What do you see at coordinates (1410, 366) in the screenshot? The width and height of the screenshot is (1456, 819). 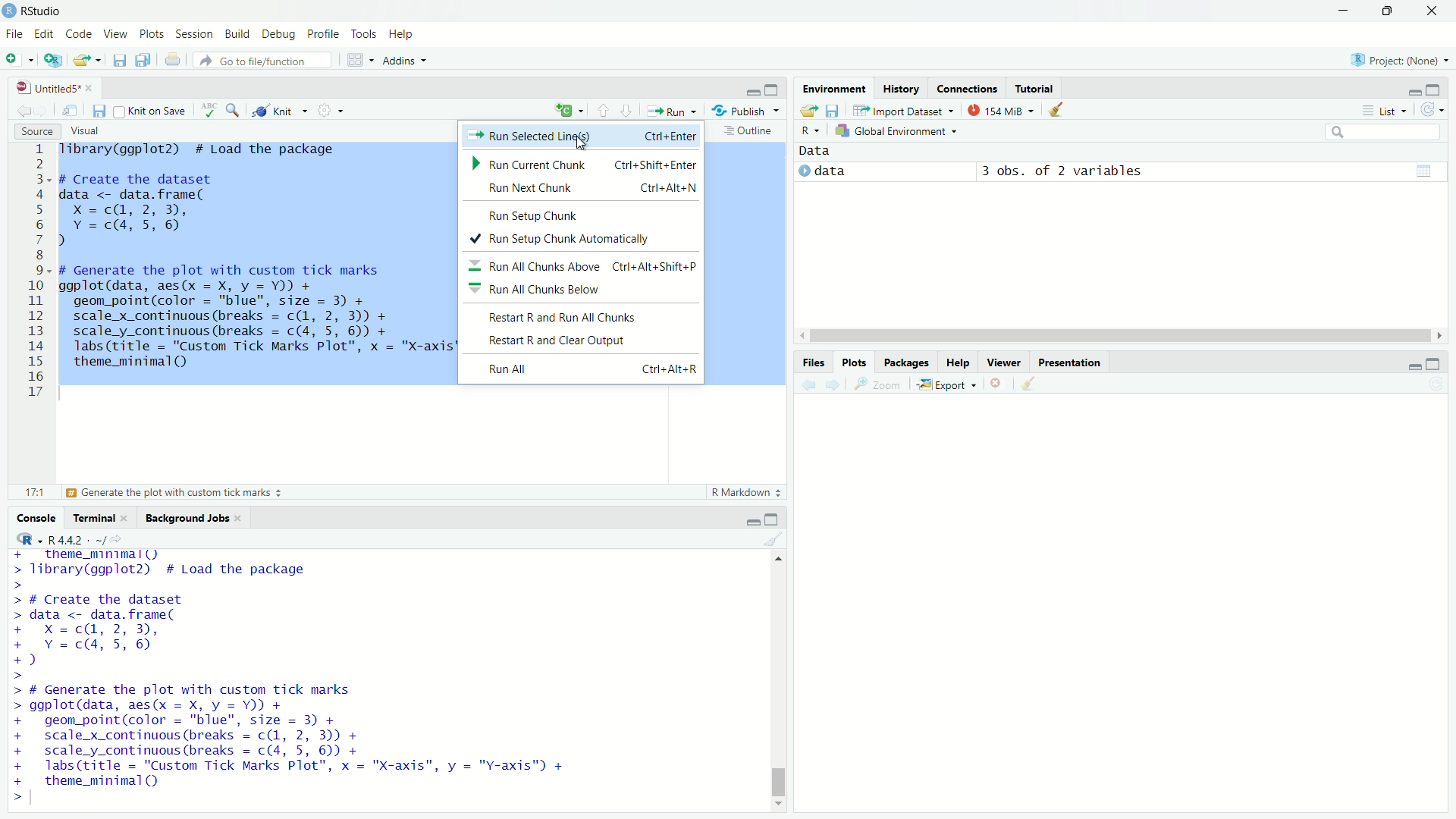 I see `minimize` at bounding box center [1410, 366].